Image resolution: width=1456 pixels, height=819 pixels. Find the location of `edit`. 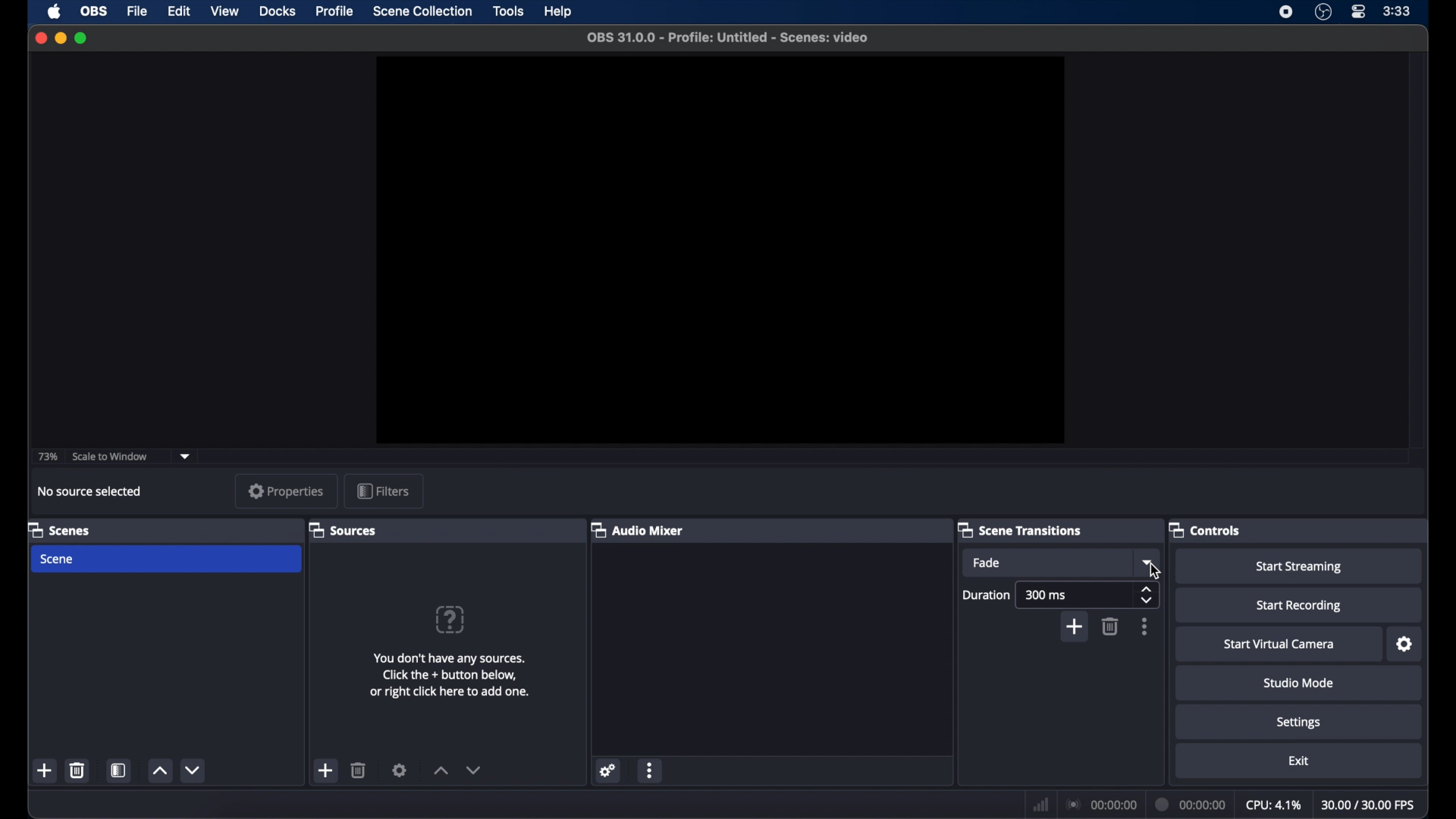

edit is located at coordinates (180, 11).